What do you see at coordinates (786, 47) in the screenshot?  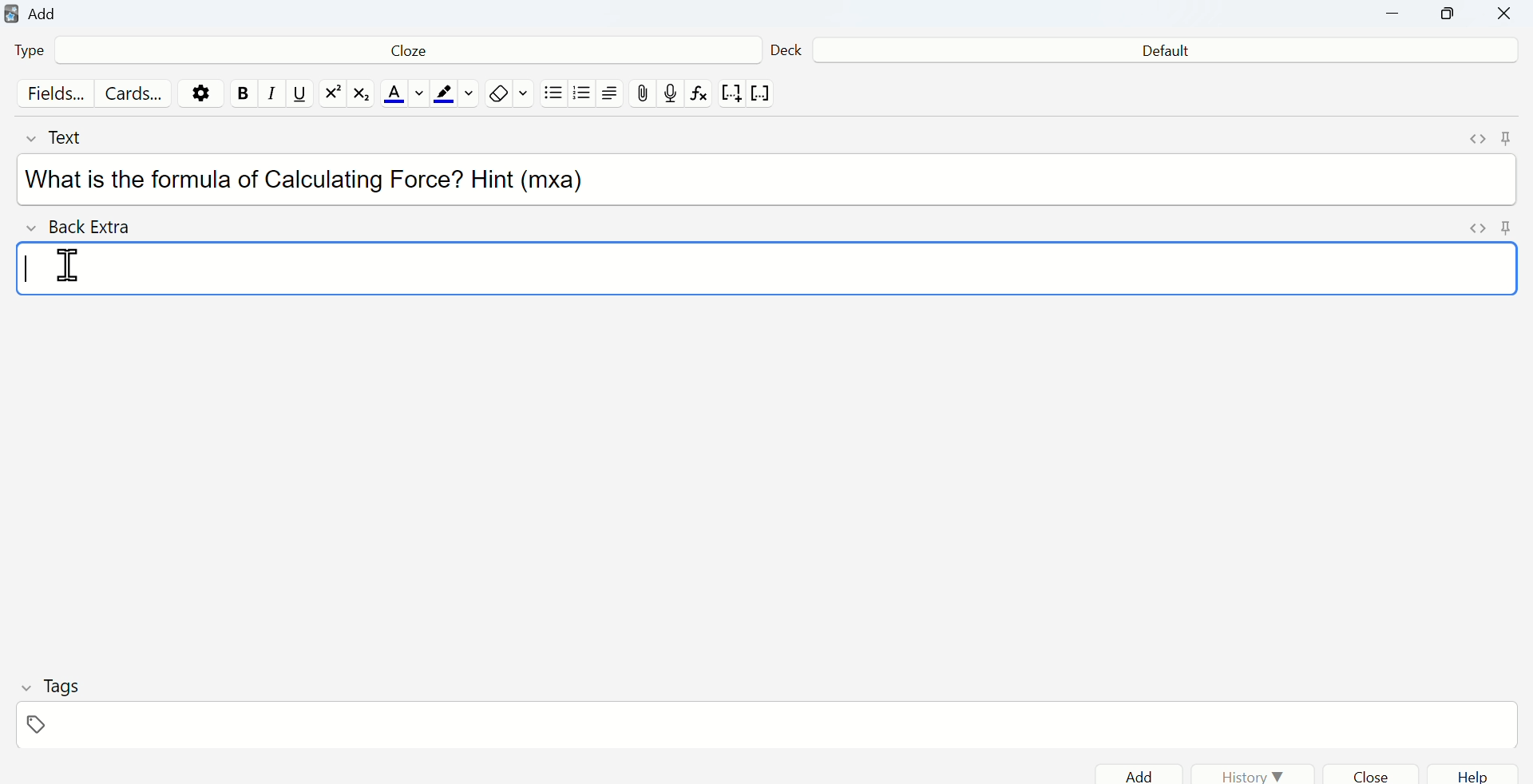 I see `Deck` at bounding box center [786, 47].